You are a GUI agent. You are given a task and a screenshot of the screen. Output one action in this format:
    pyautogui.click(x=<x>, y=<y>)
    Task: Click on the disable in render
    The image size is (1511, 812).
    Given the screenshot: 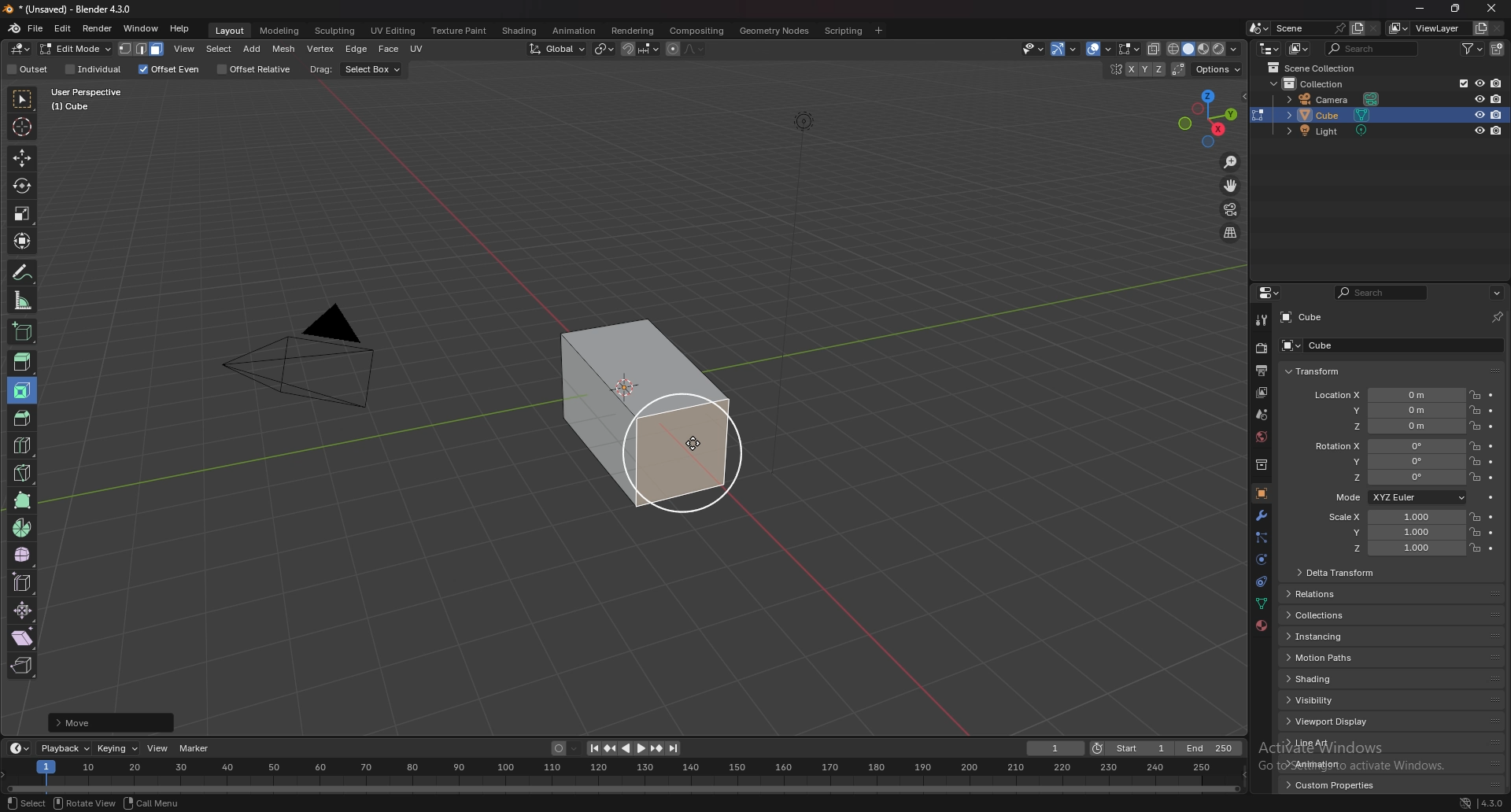 What is the action you would take?
    pyautogui.click(x=1496, y=115)
    